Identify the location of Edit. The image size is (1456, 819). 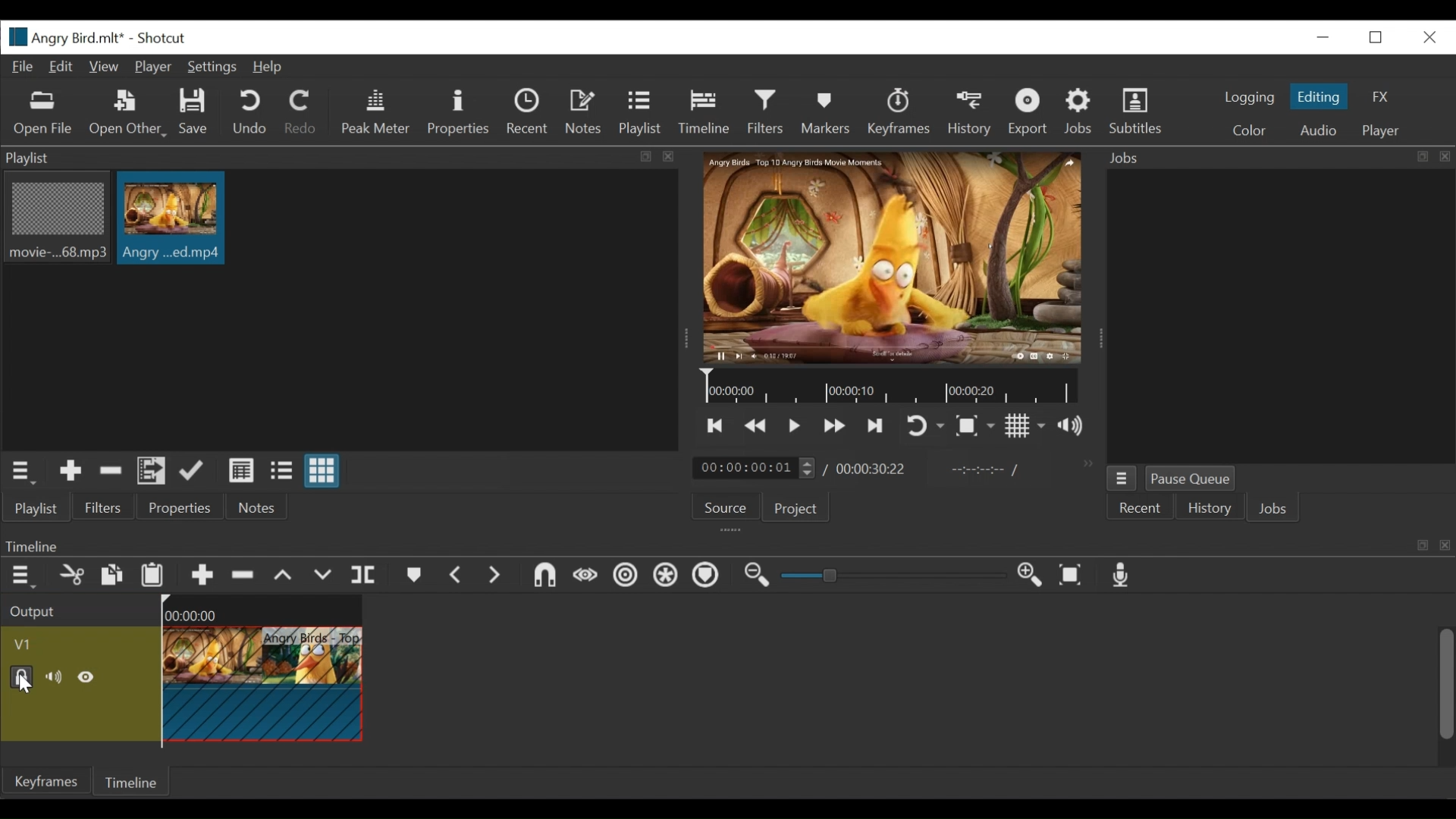
(63, 67).